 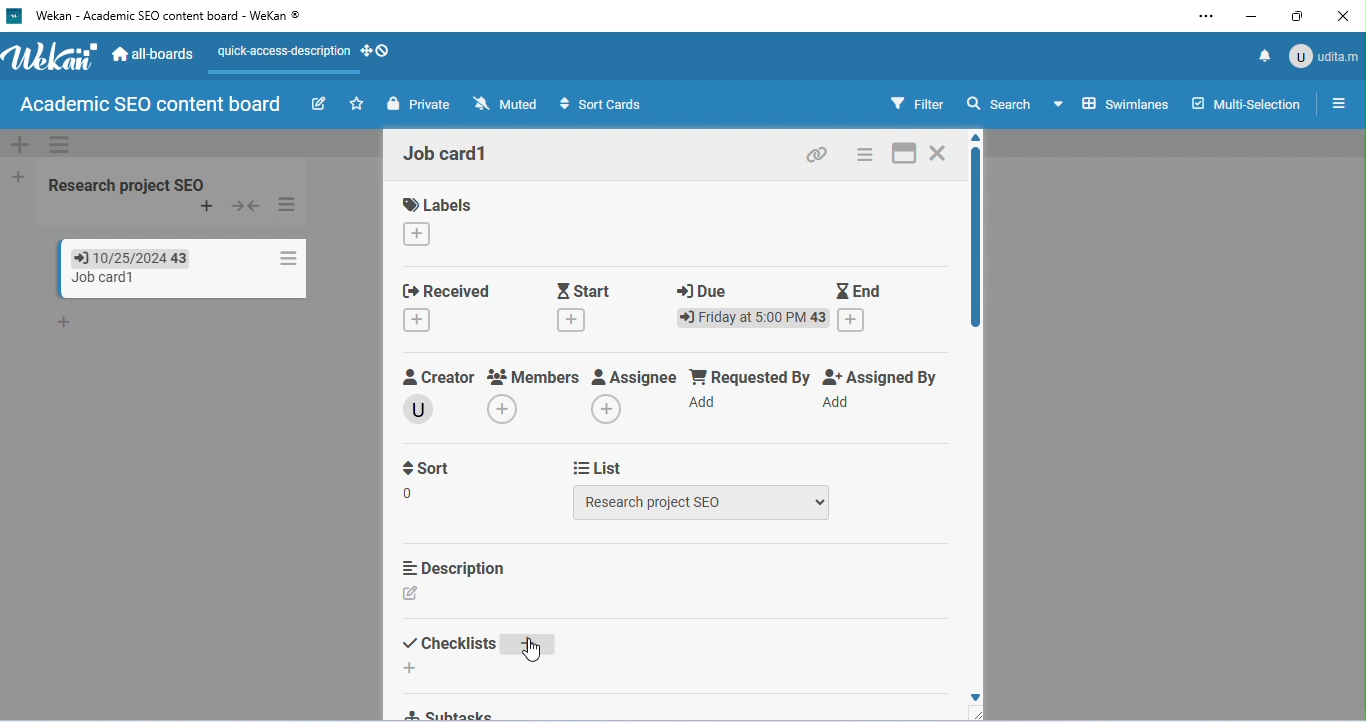 What do you see at coordinates (418, 104) in the screenshot?
I see `private` at bounding box center [418, 104].